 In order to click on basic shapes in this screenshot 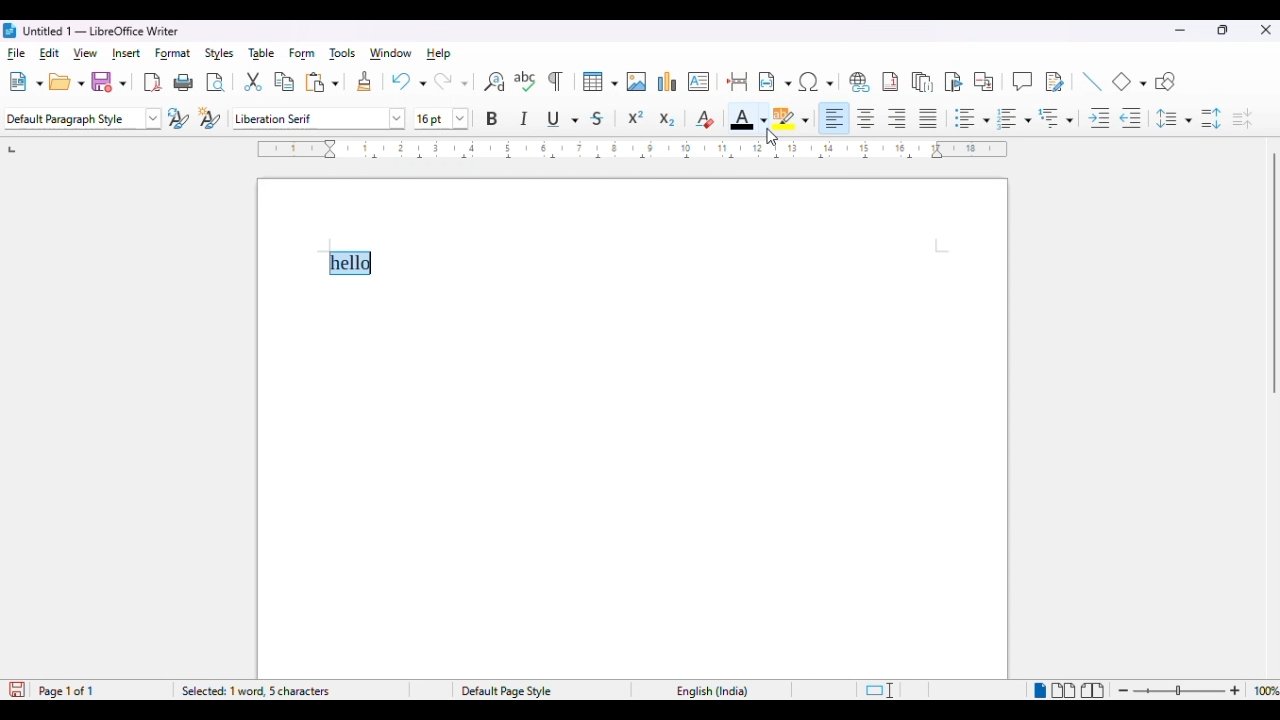, I will do `click(1130, 81)`.